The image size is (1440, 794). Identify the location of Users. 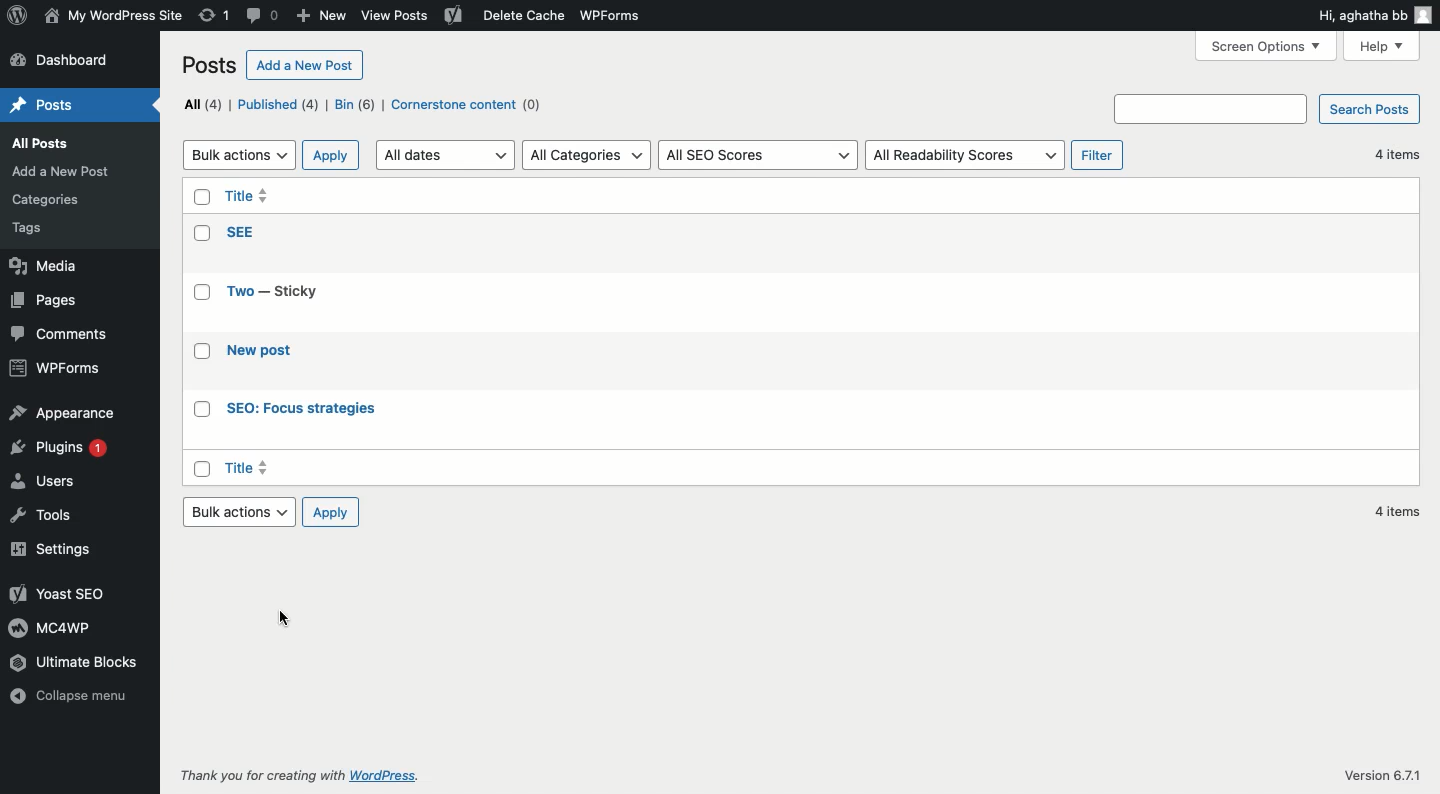
(48, 484).